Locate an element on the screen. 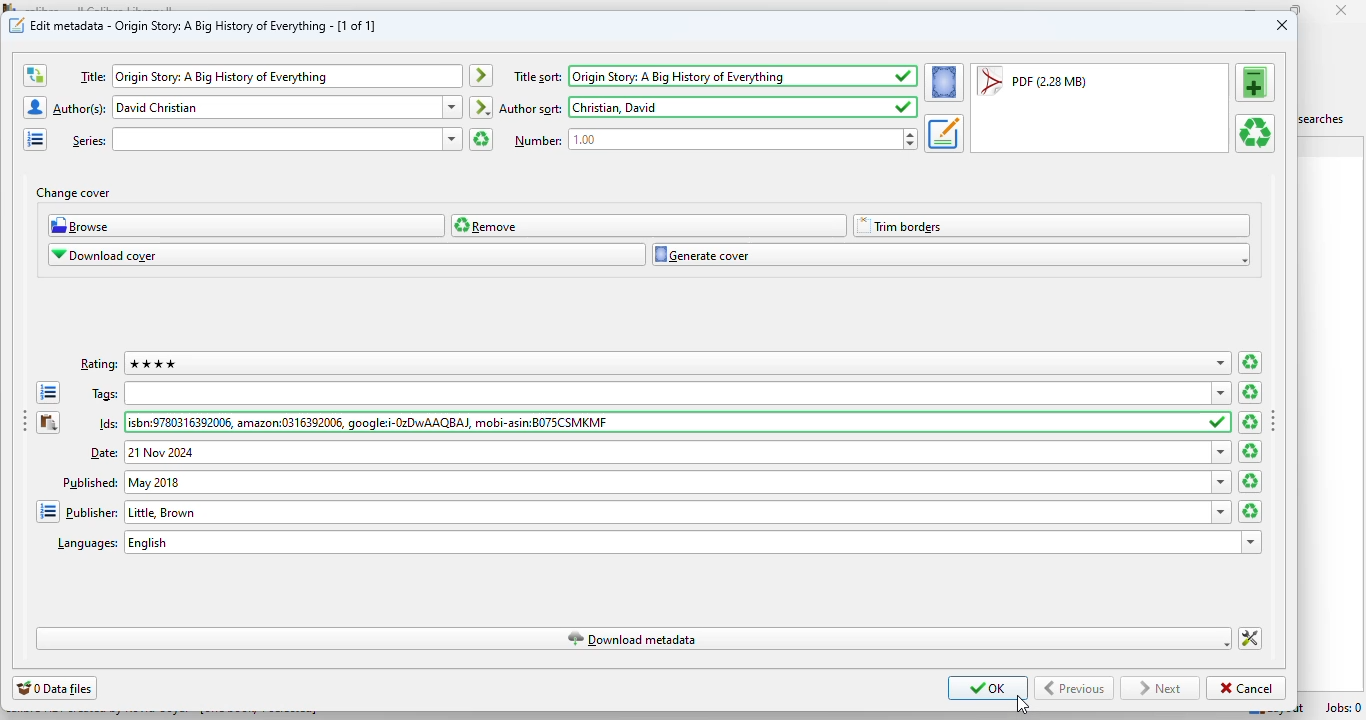 This screenshot has height=720, width=1366. change cover is located at coordinates (73, 194).